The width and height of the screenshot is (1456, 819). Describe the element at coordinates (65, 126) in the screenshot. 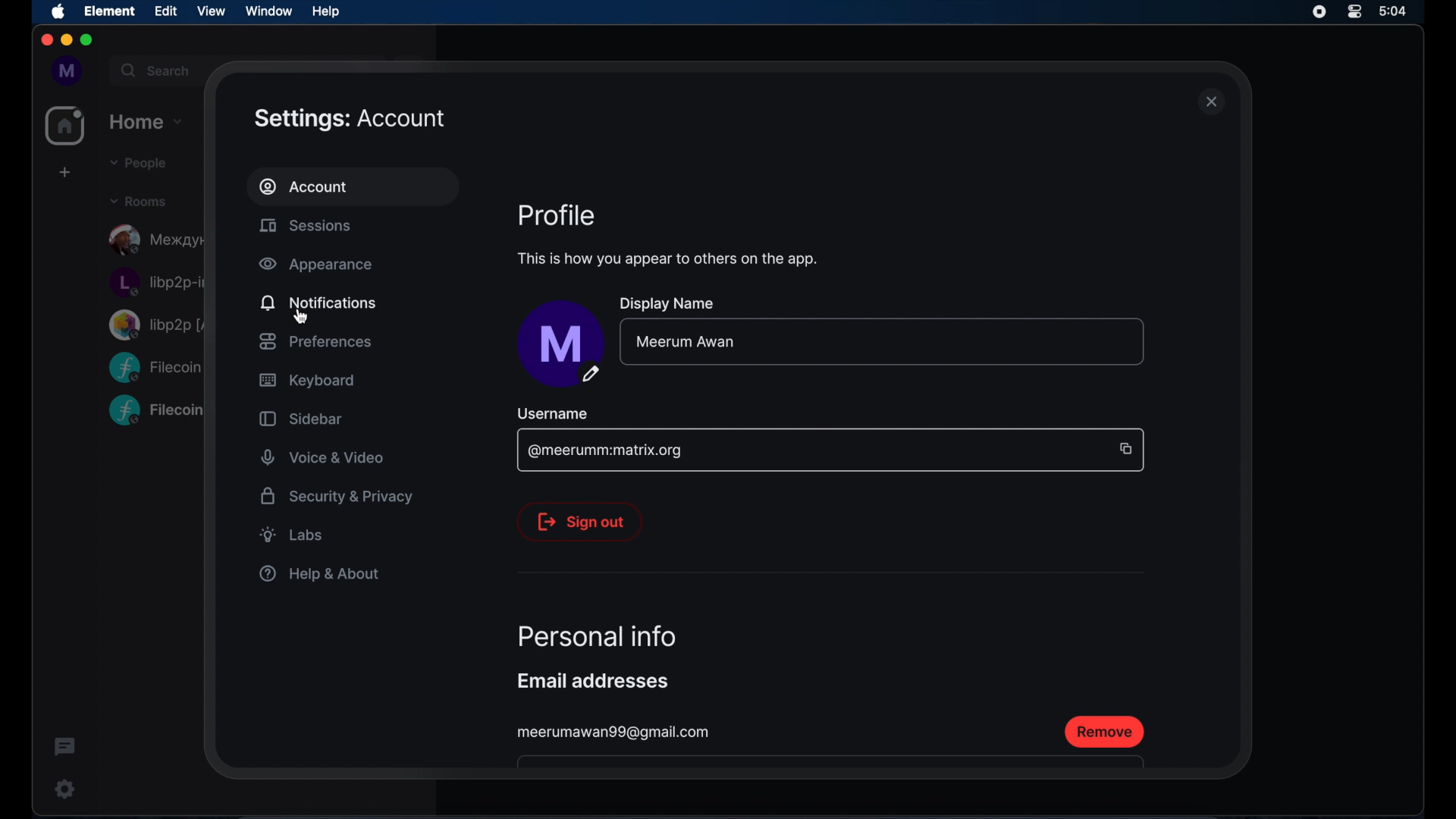

I see `home` at that location.